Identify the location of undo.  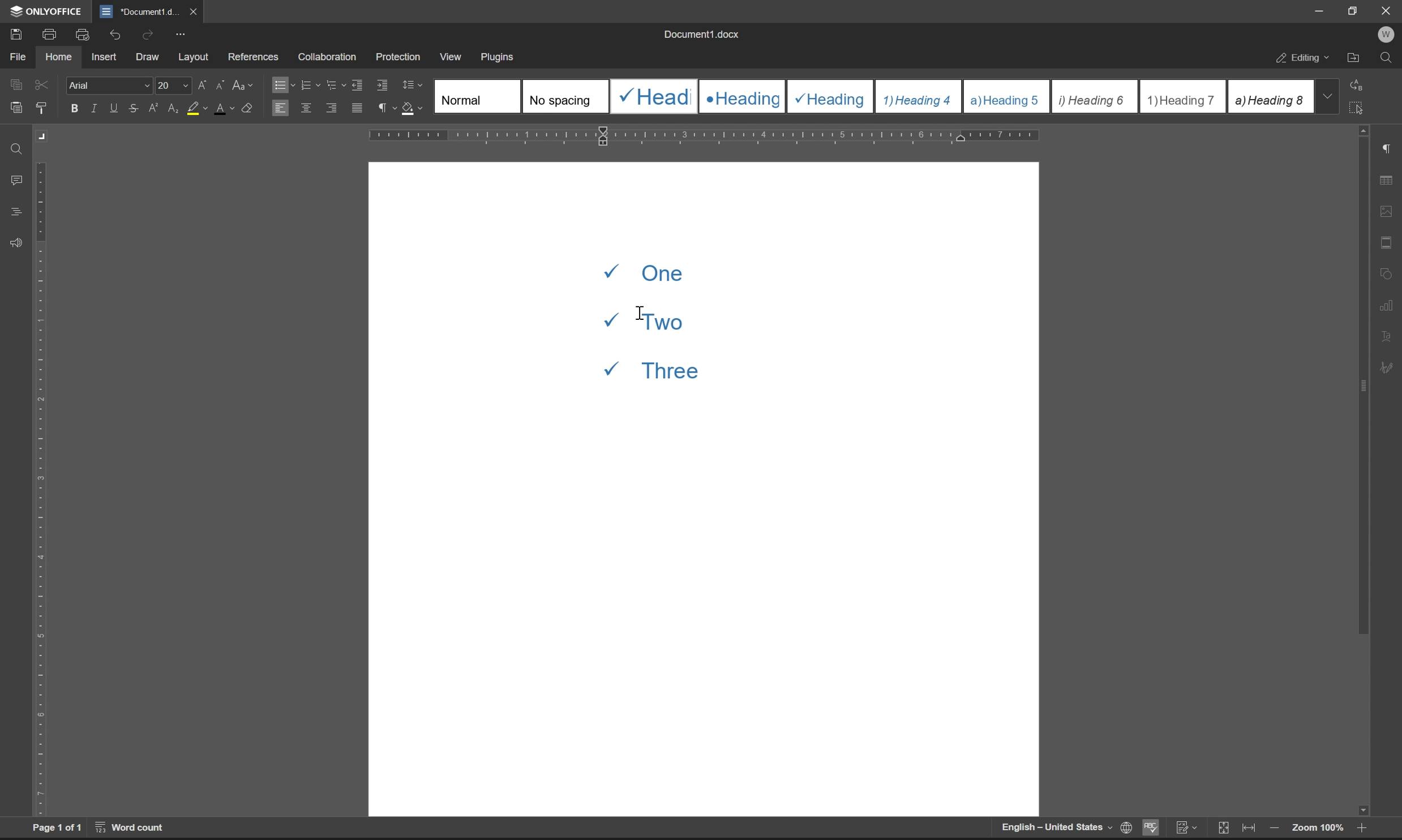
(113, 36).